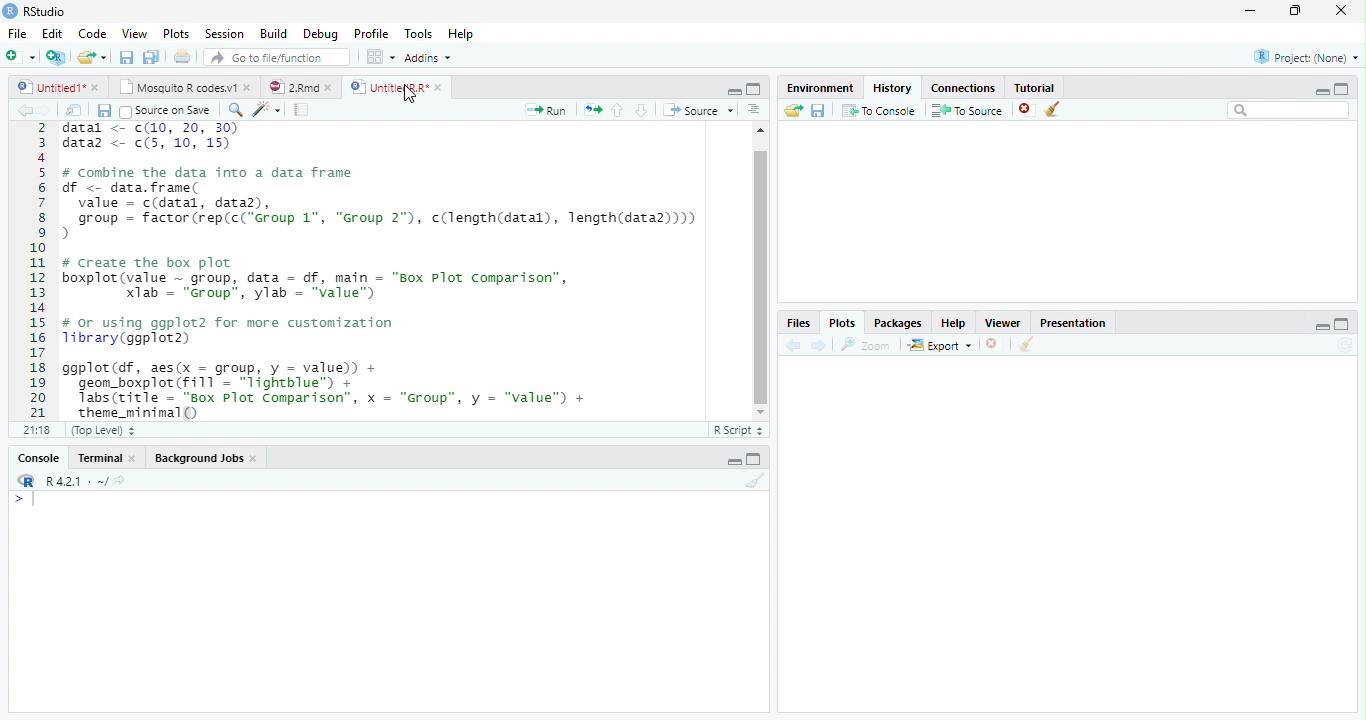 The height and width of the screenshot is (720, 1366). I want to click on Minimize, so click(733, 92).